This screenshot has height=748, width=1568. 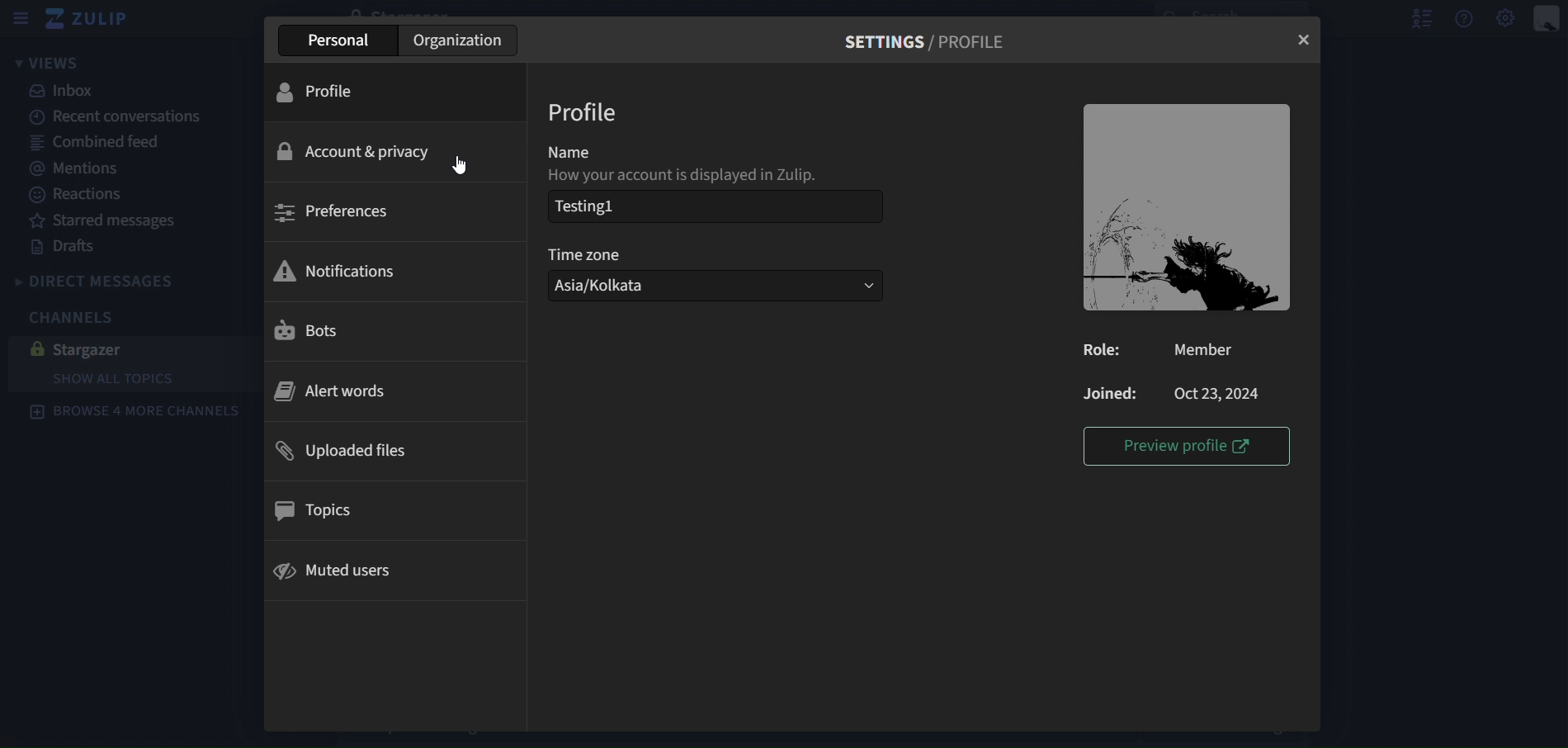 What do you see at coordinates (1157, 351) in the screenshot?
I see `Role: Member` at bounding box center [1157, 351].